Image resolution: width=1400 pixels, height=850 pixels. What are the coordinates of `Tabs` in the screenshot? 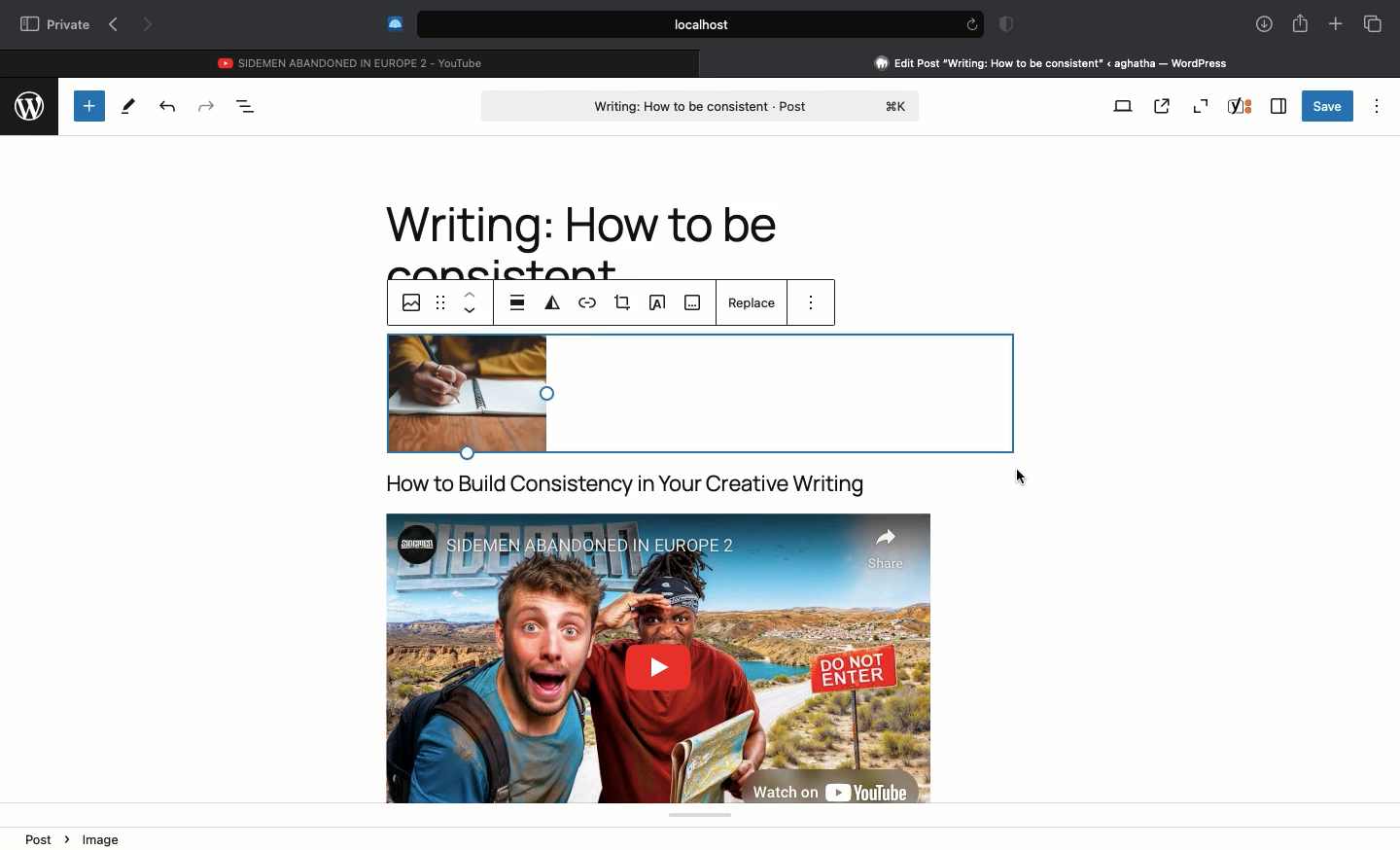 It's located at (1373, 23).